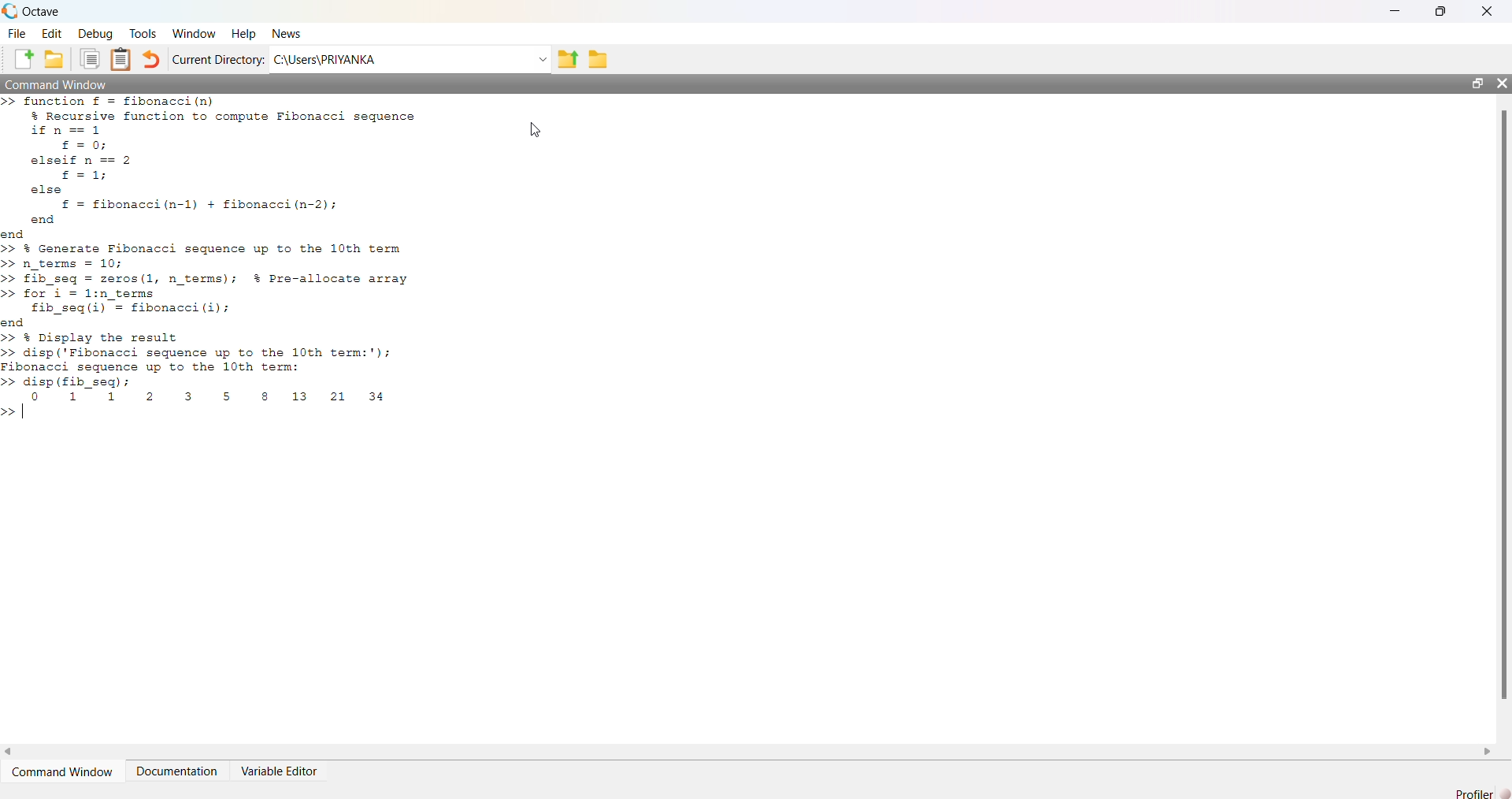  Describe the element at coordinates (198, 34) in the screenshot. I see `Nindow` at that location.